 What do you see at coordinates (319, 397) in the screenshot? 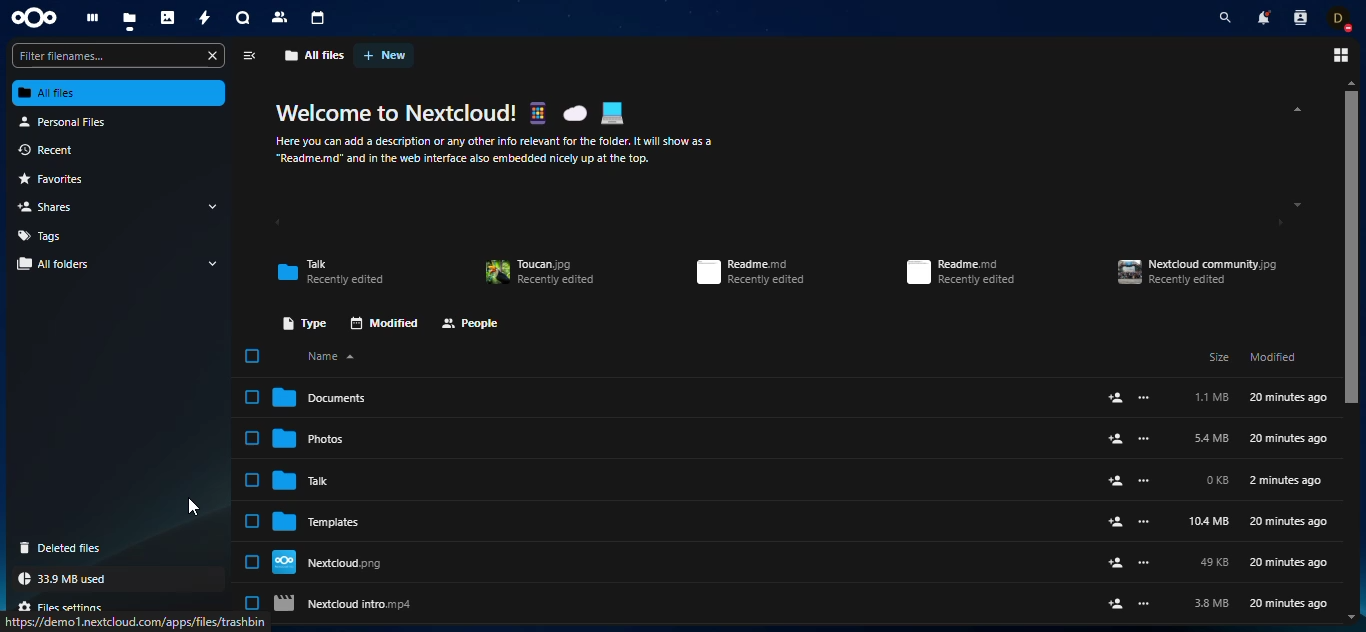
I see `Documents` at bounding box center [319, 397].